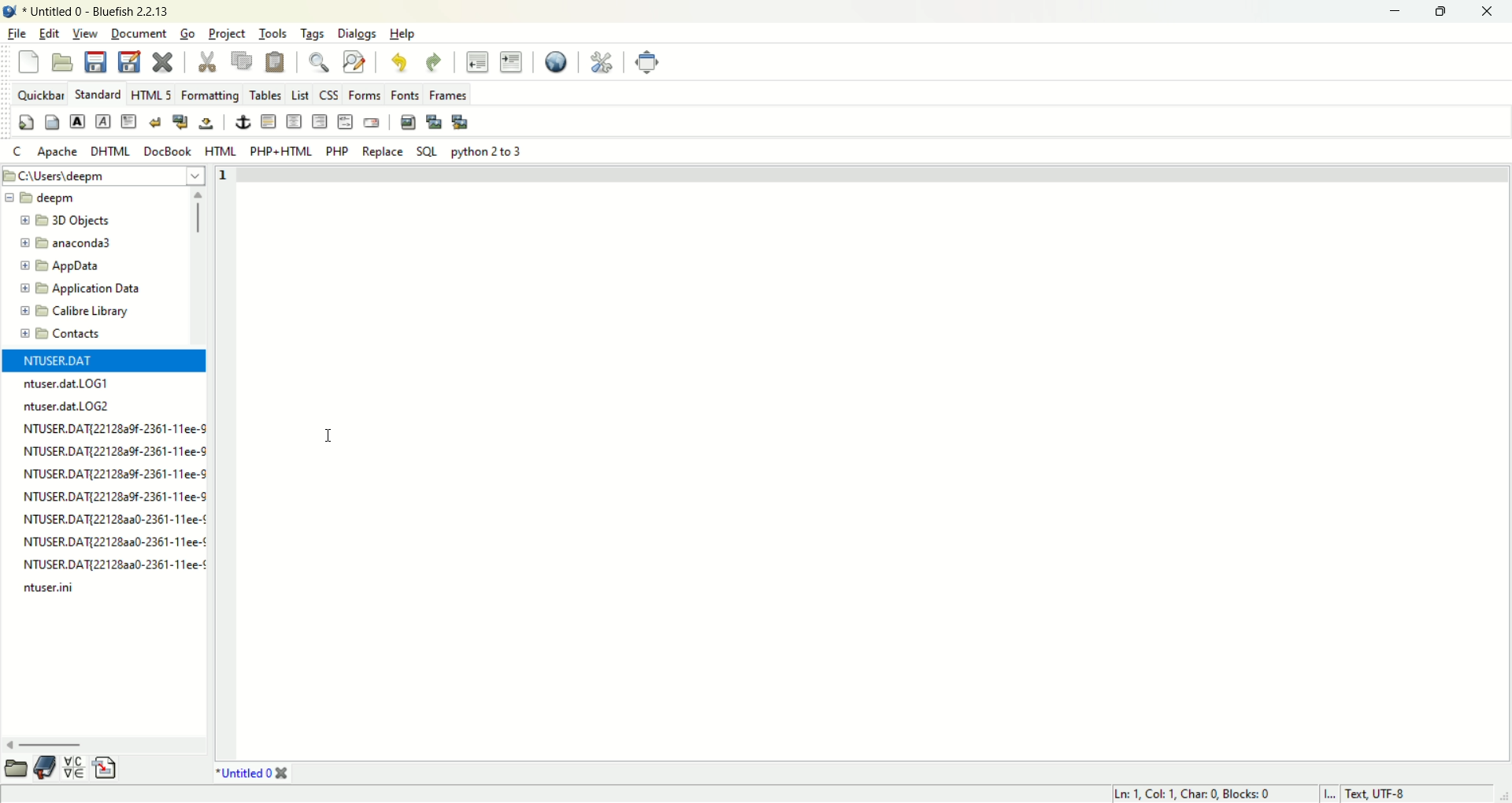  What do you see at coordinates (17, 152) in the screenshot?
I see `c` at bounding box center [17, 152].